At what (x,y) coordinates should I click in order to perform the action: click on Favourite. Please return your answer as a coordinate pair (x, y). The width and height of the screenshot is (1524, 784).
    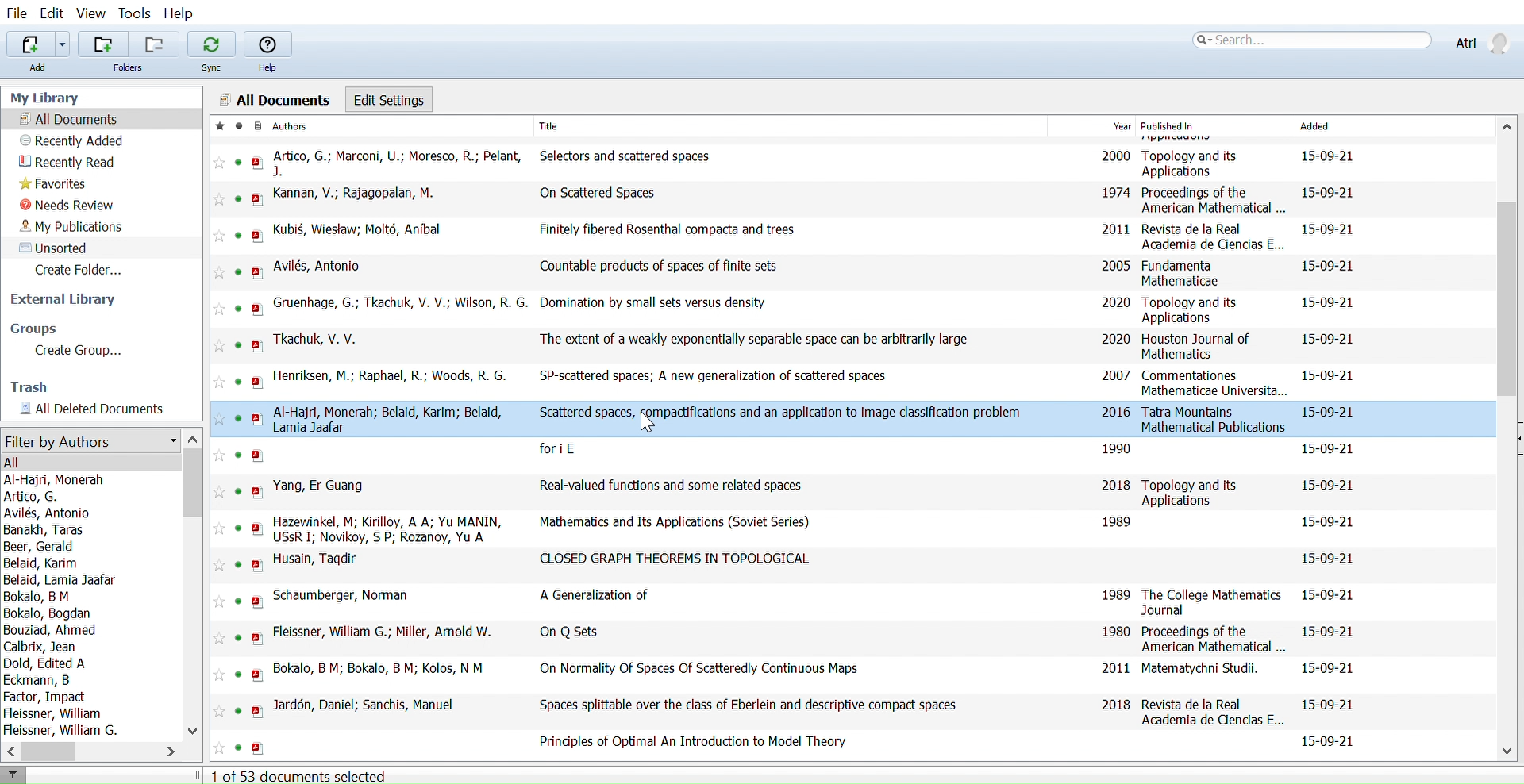
    Looking at the image, I should click on (218, 636).